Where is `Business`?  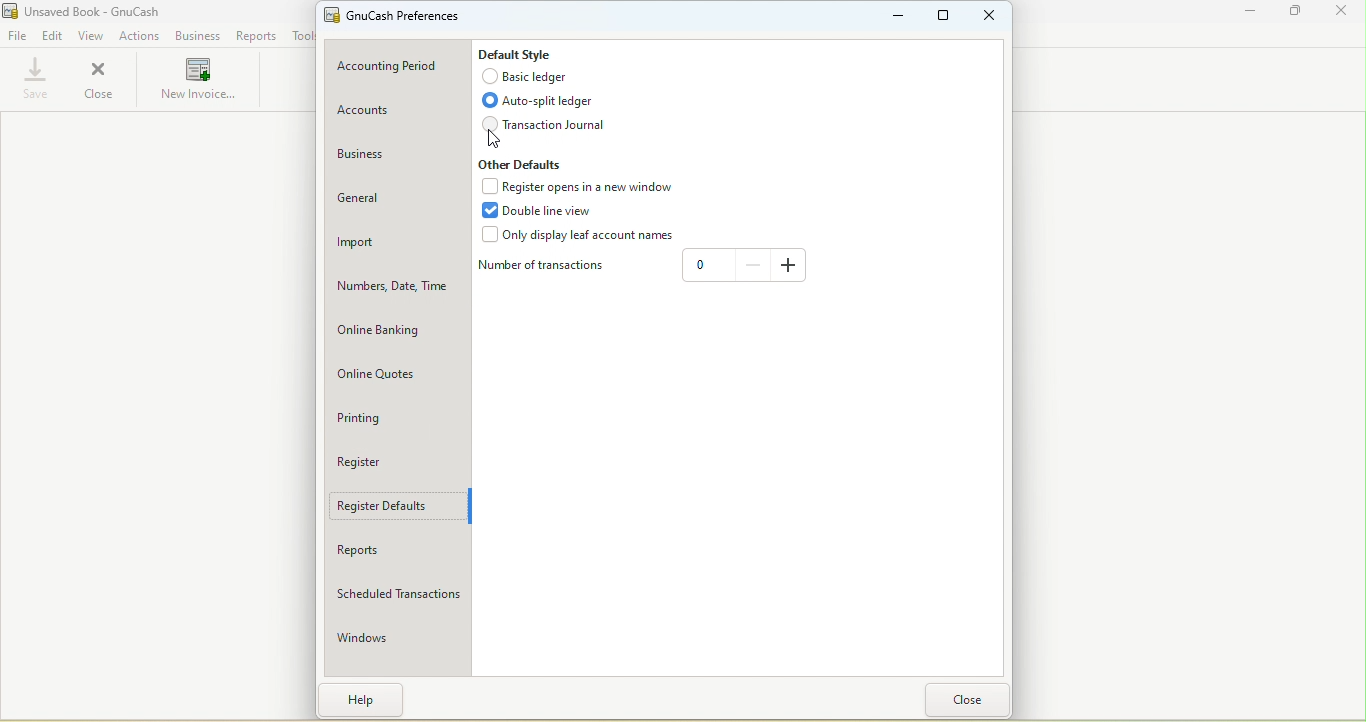
Business is located at coordinates (200, 36).